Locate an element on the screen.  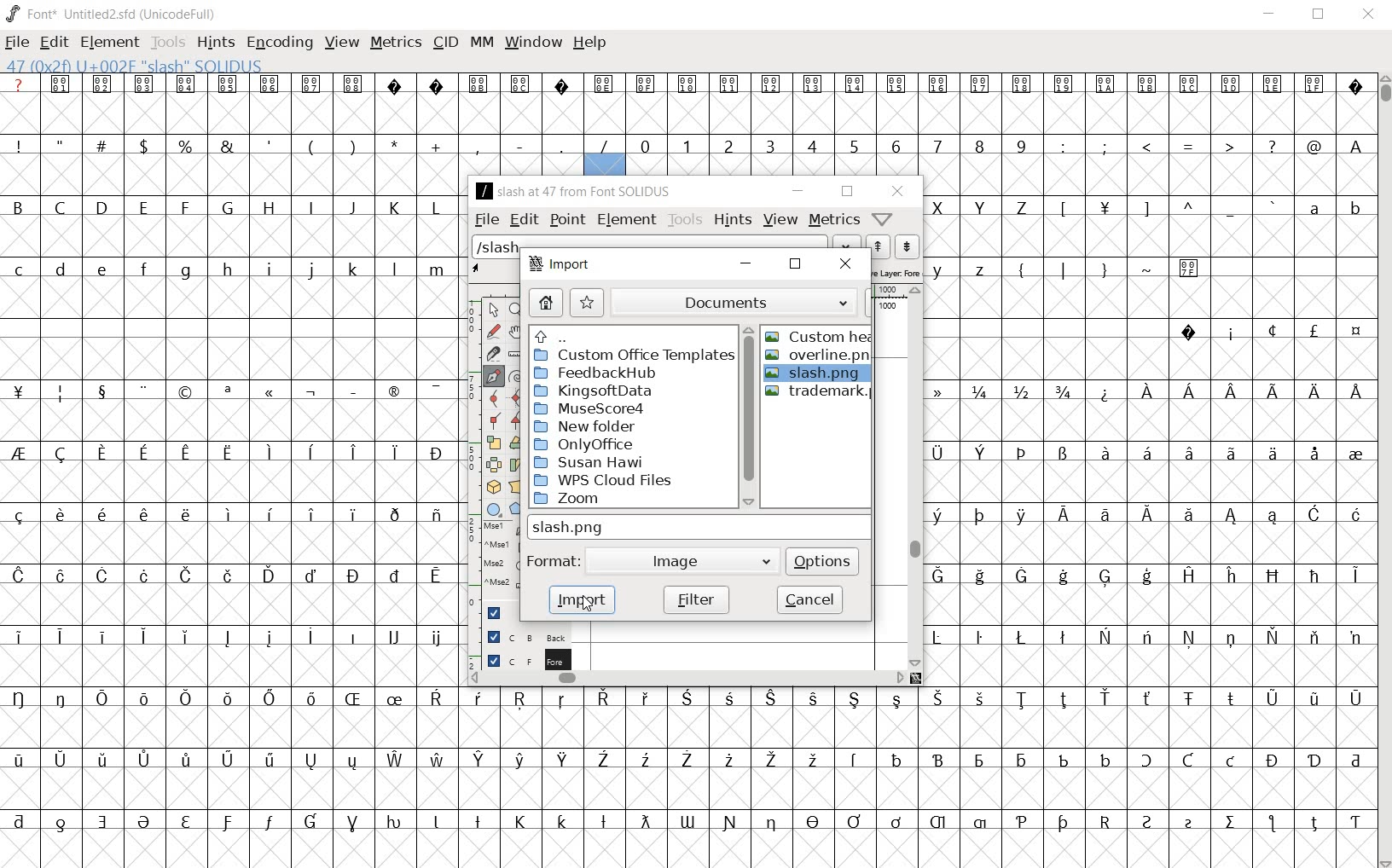
empty cells is located at coordinates (1148, 421).